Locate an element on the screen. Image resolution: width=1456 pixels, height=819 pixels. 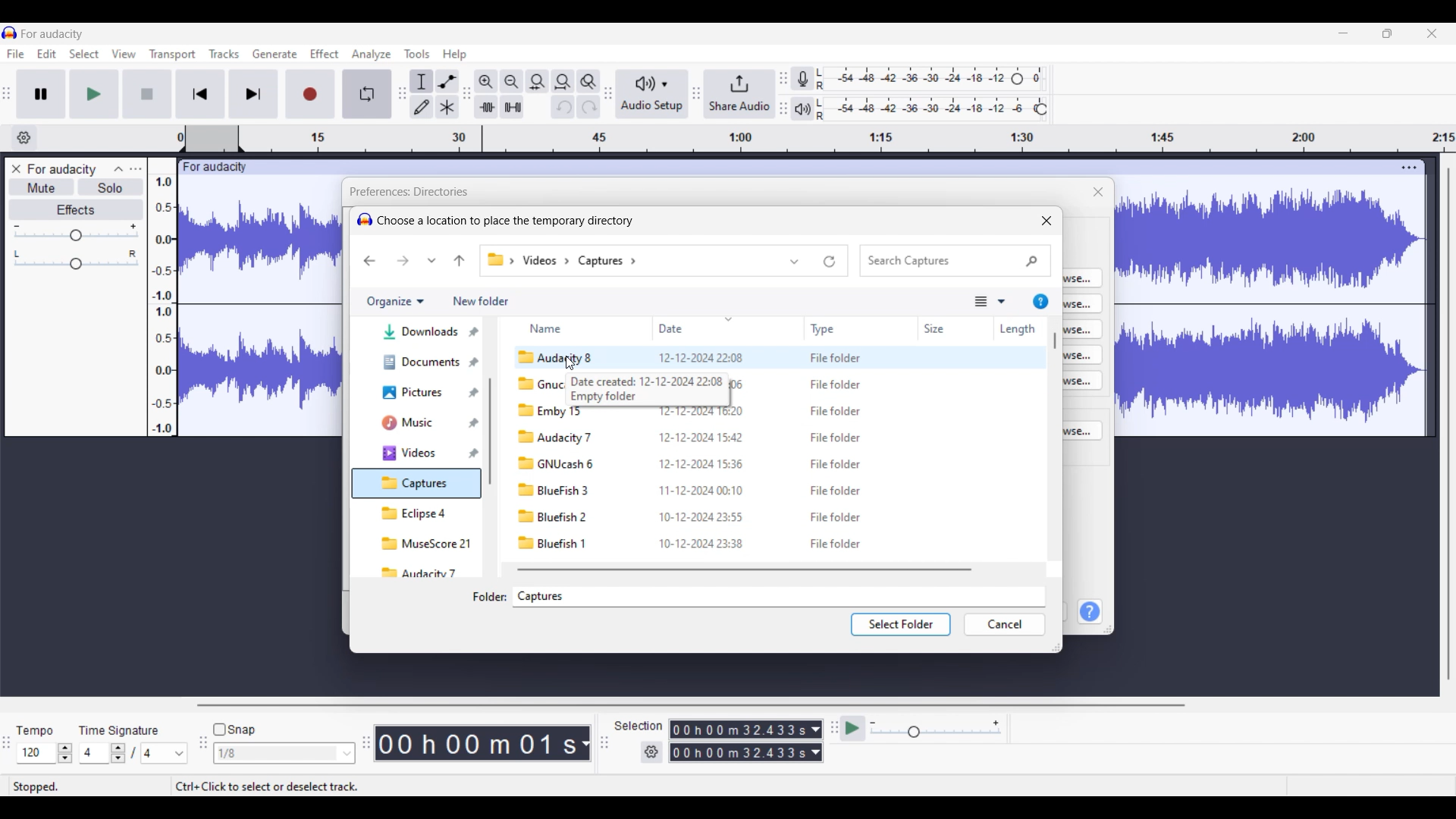
Snap toggle is located at coordinates (235, 730).